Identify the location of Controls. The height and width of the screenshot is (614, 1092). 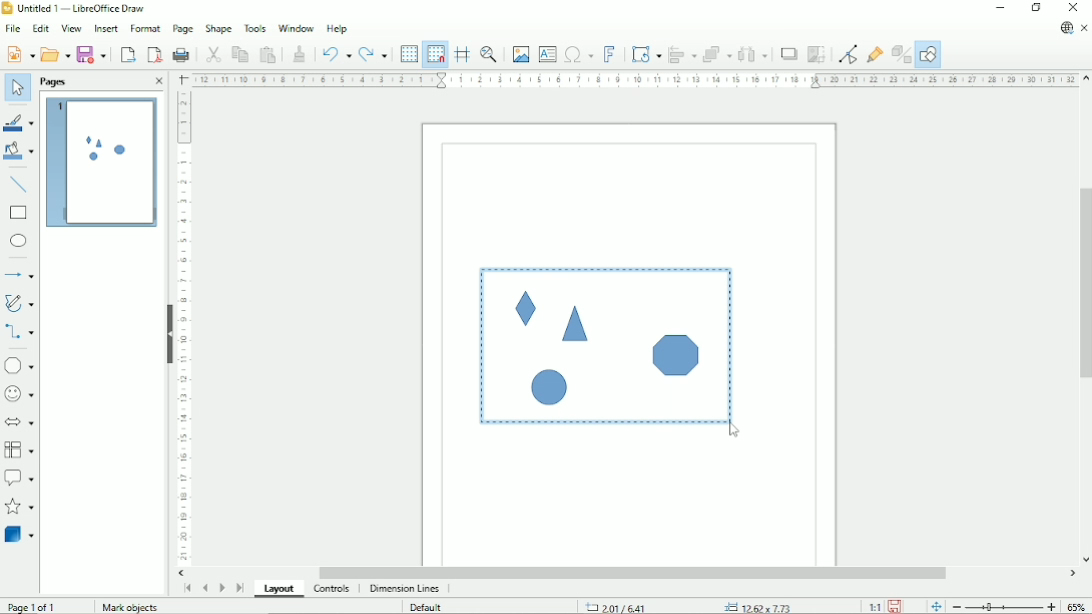
(332, 589).